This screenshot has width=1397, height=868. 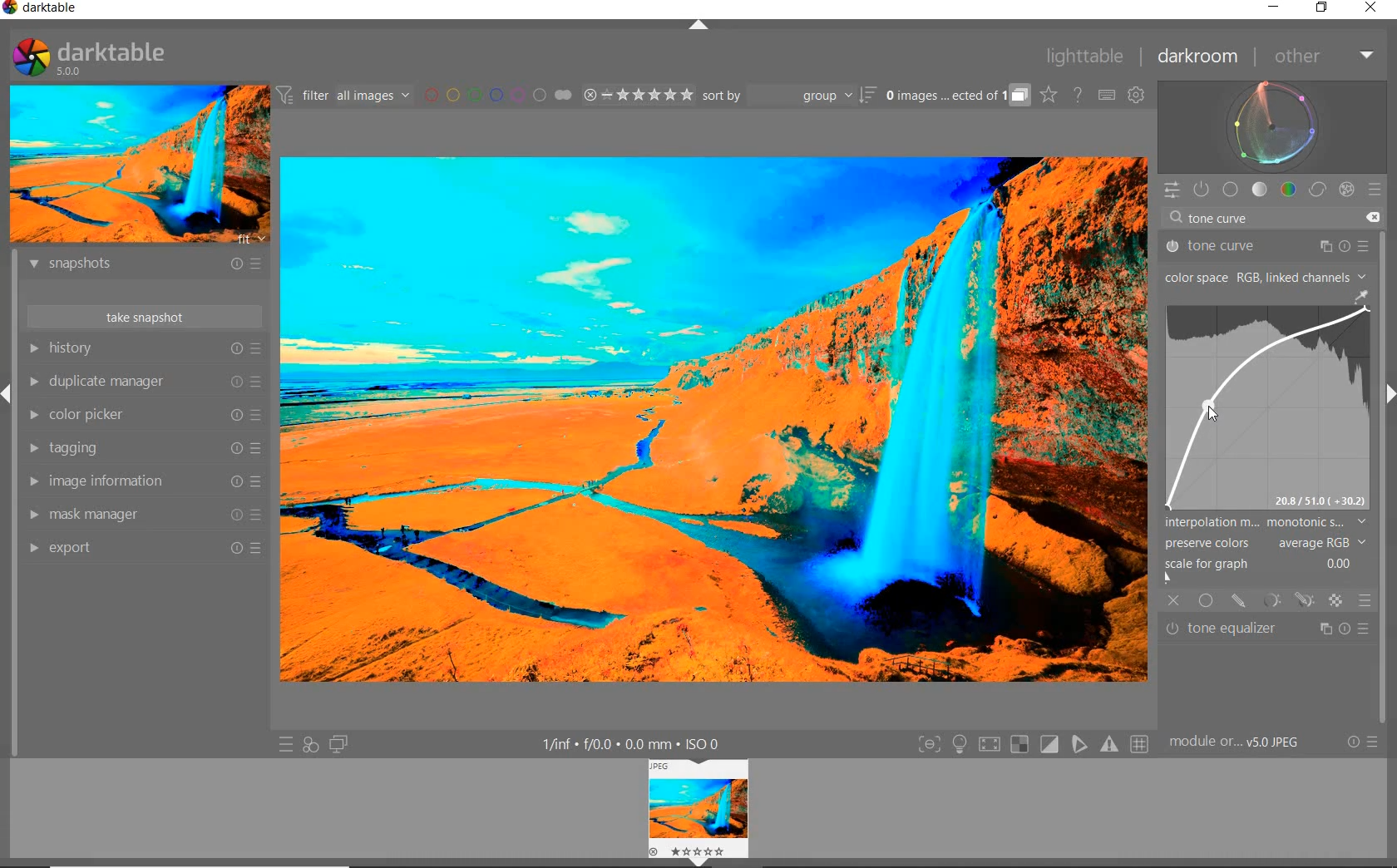 I want to click on effect, so click(x=1344, y=189).